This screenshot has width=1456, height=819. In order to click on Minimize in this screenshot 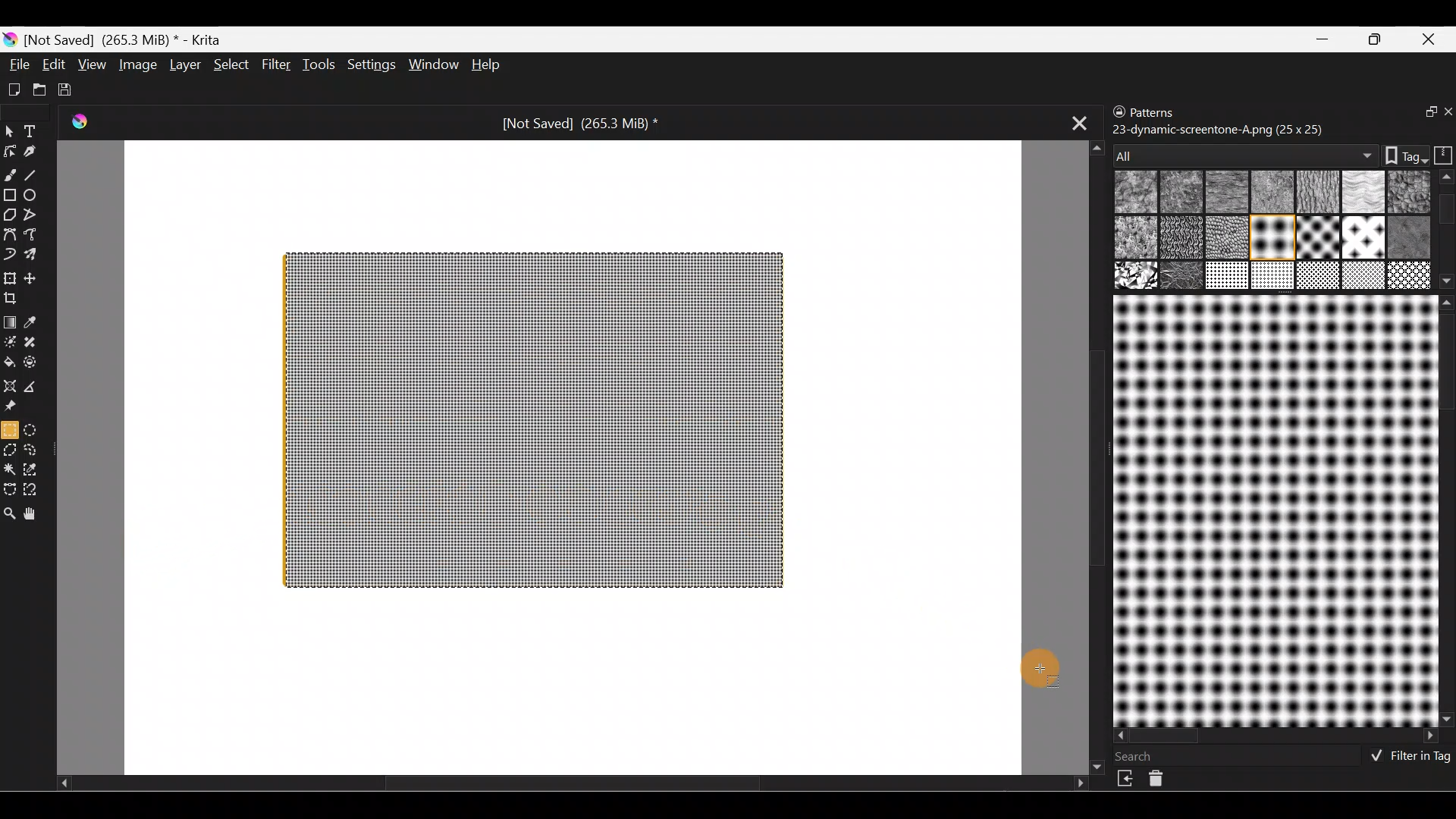, I will do `click(1324, 39)`.